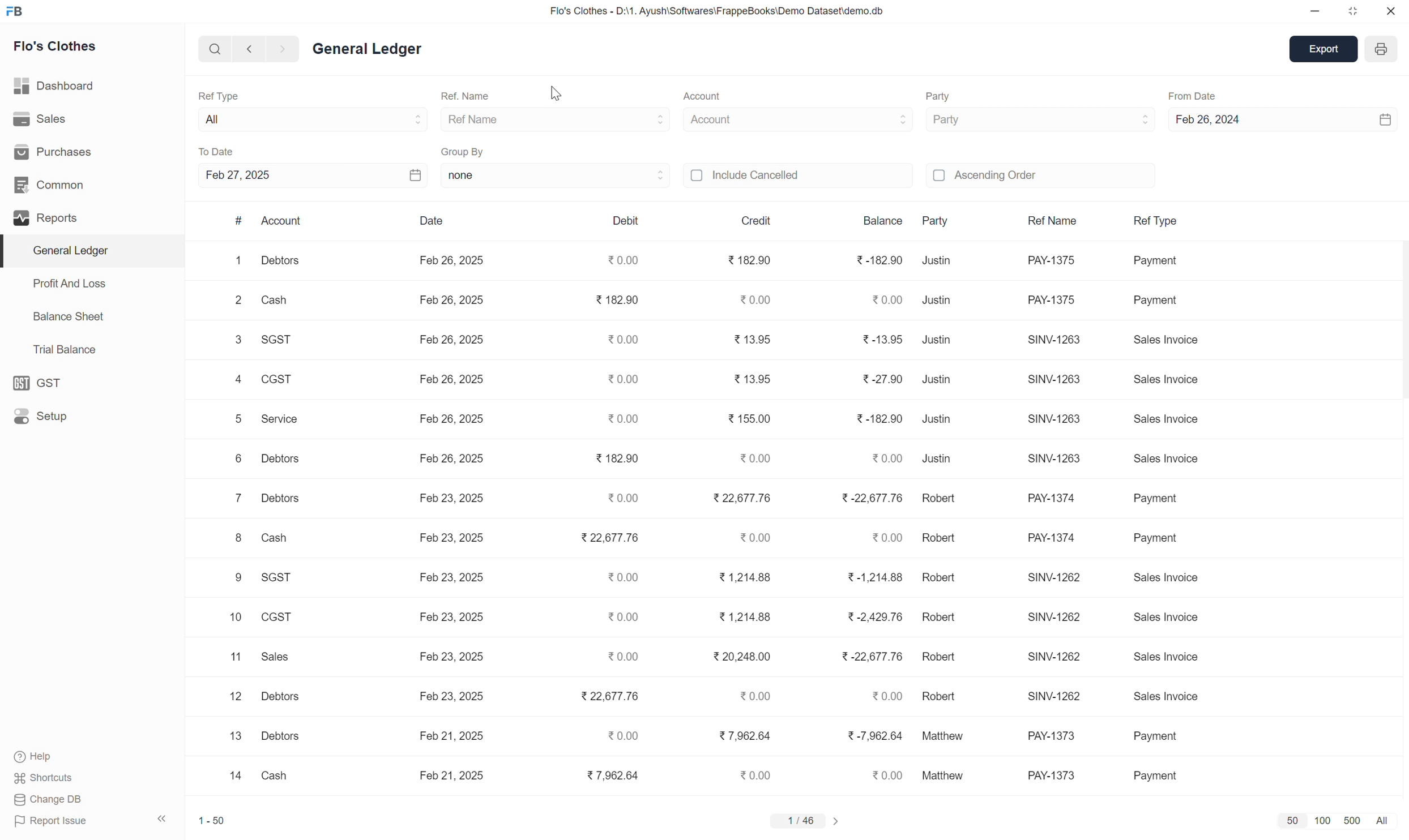 This screenshot has height=840, width=1409. I want to click on help, so click(42, 756).